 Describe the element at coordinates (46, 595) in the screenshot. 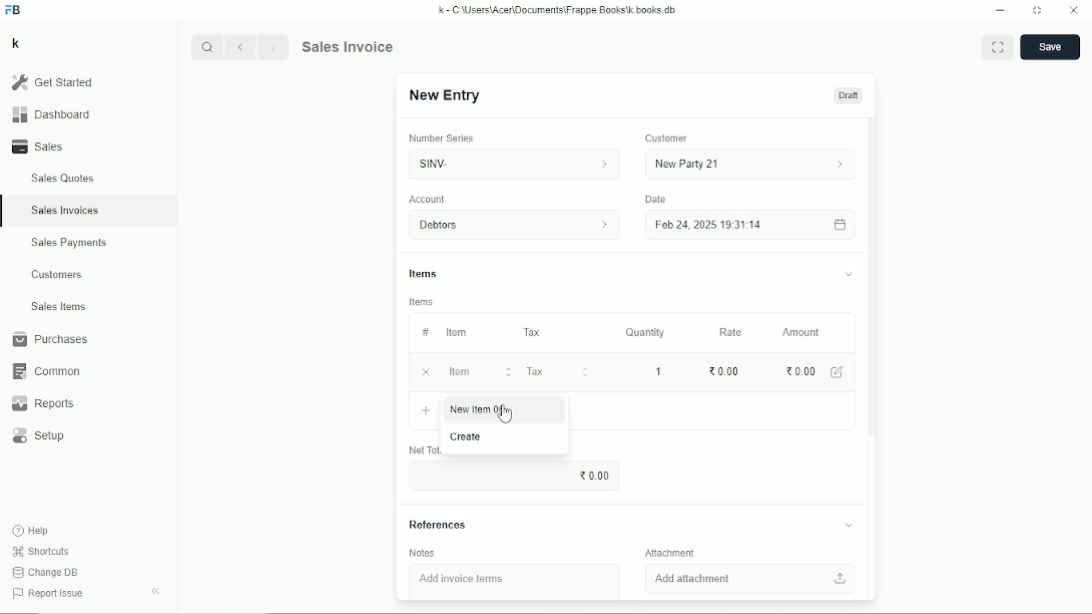

I see `Report issue` at that location.